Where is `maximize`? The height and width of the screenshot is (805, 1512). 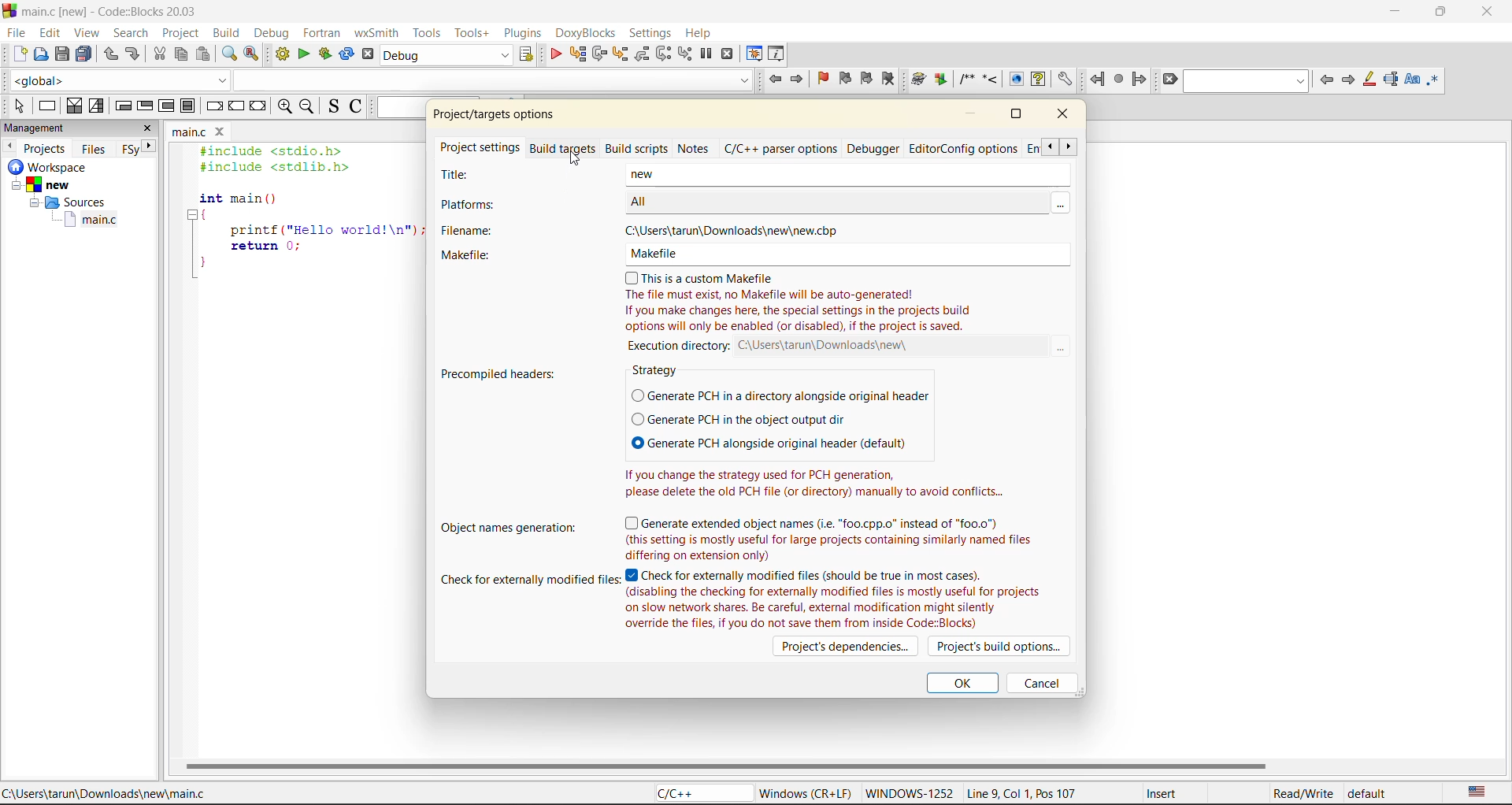 maximize is located at coordinates (1015, 113).